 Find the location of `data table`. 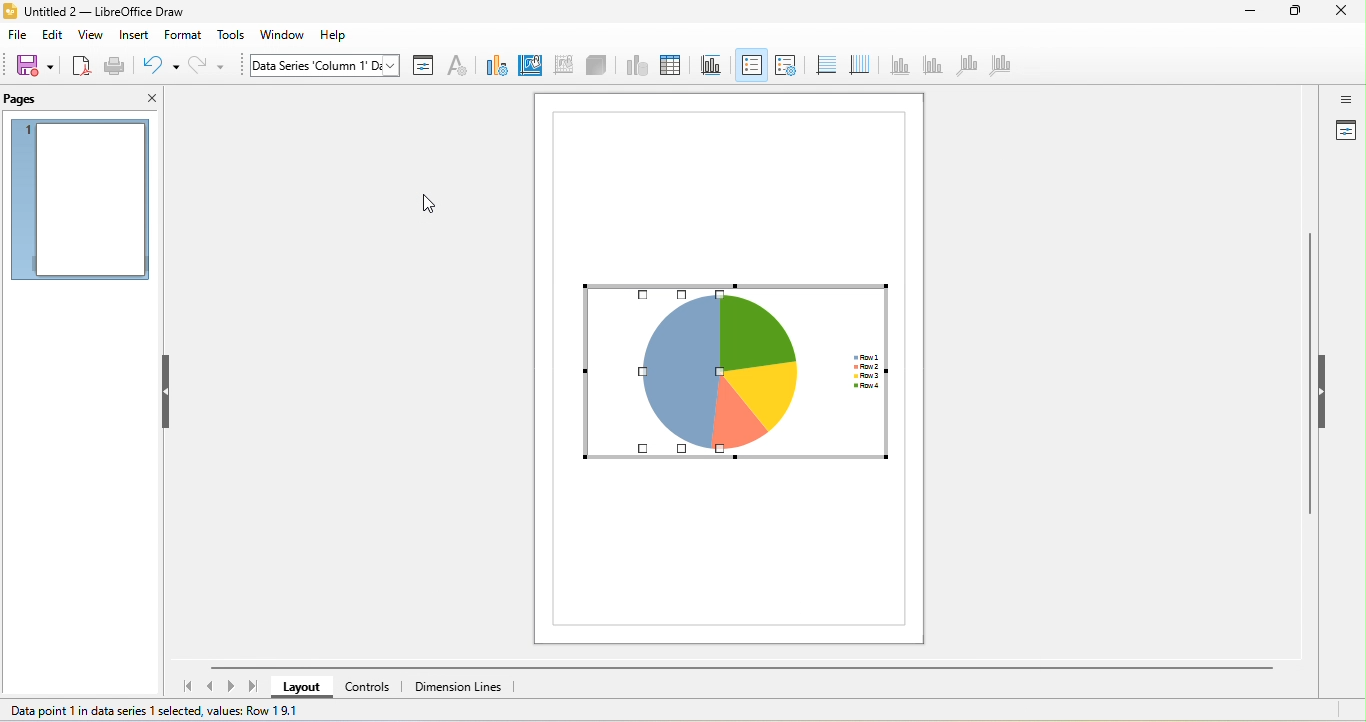

data table is located at coordinates (669, 66).